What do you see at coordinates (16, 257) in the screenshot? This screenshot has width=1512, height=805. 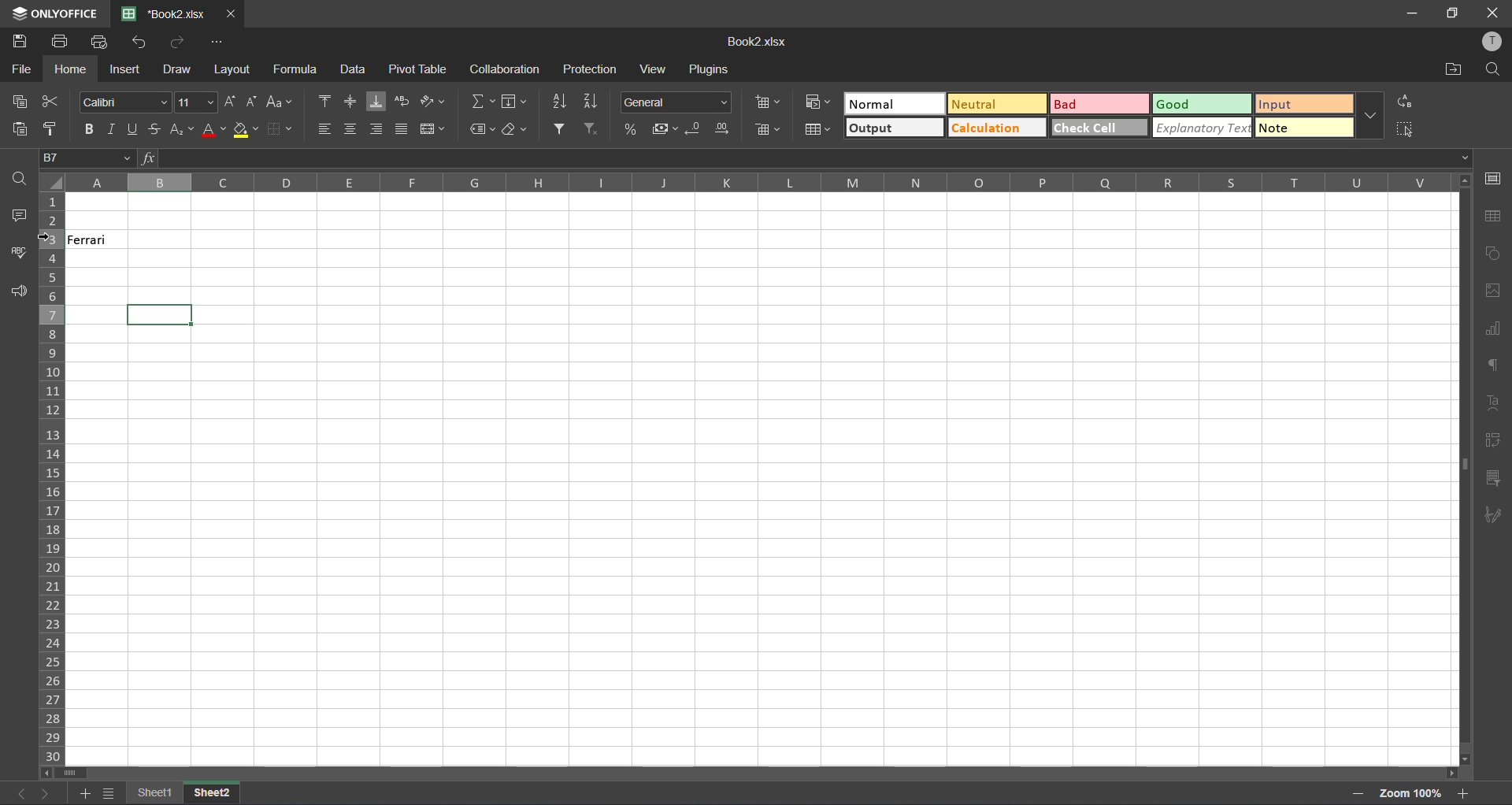 I see `spellcheck` at bounding box center [16, 257].